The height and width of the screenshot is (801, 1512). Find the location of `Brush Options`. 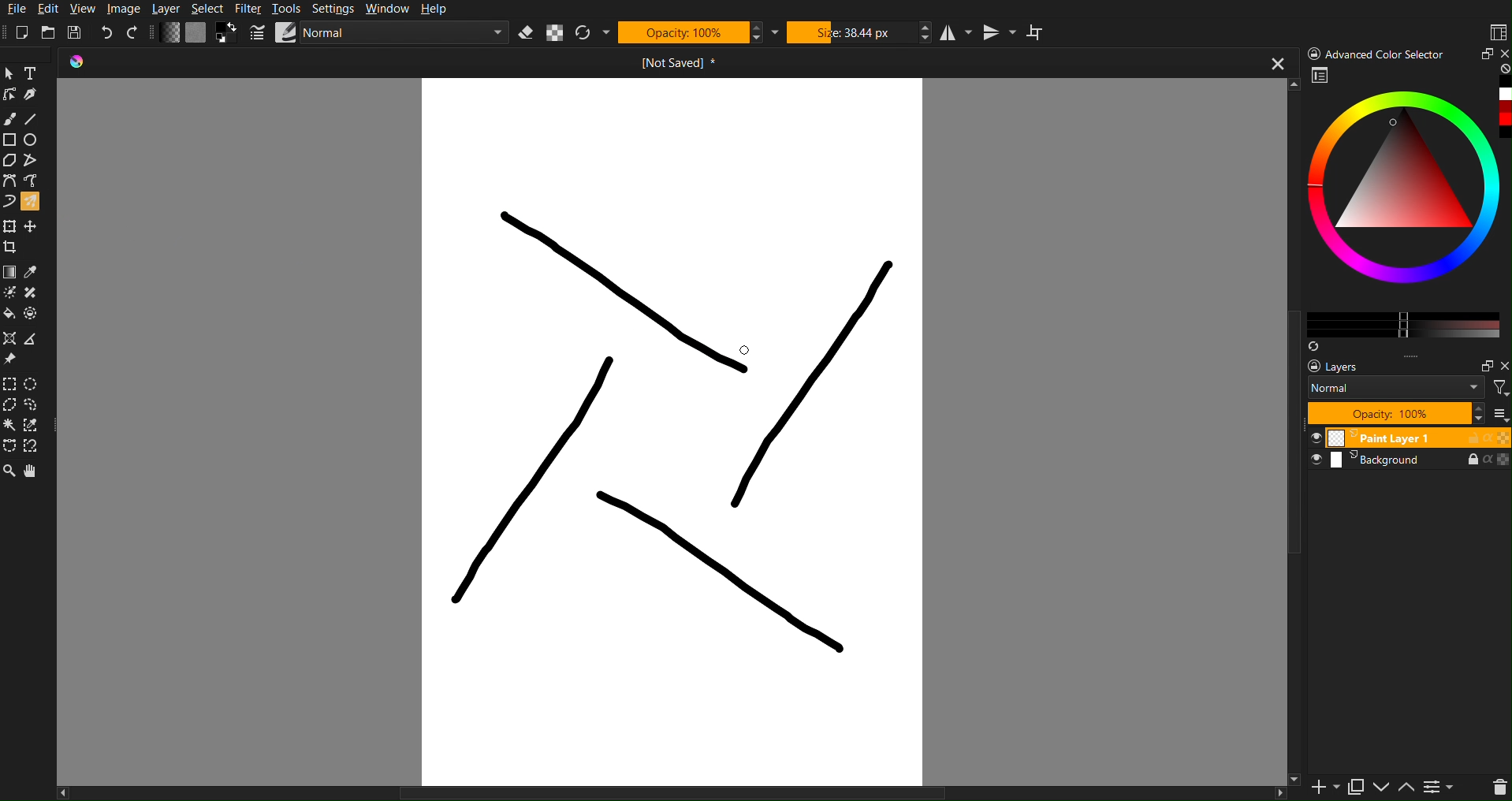

Brush Options is located at coordinates (409, 34).